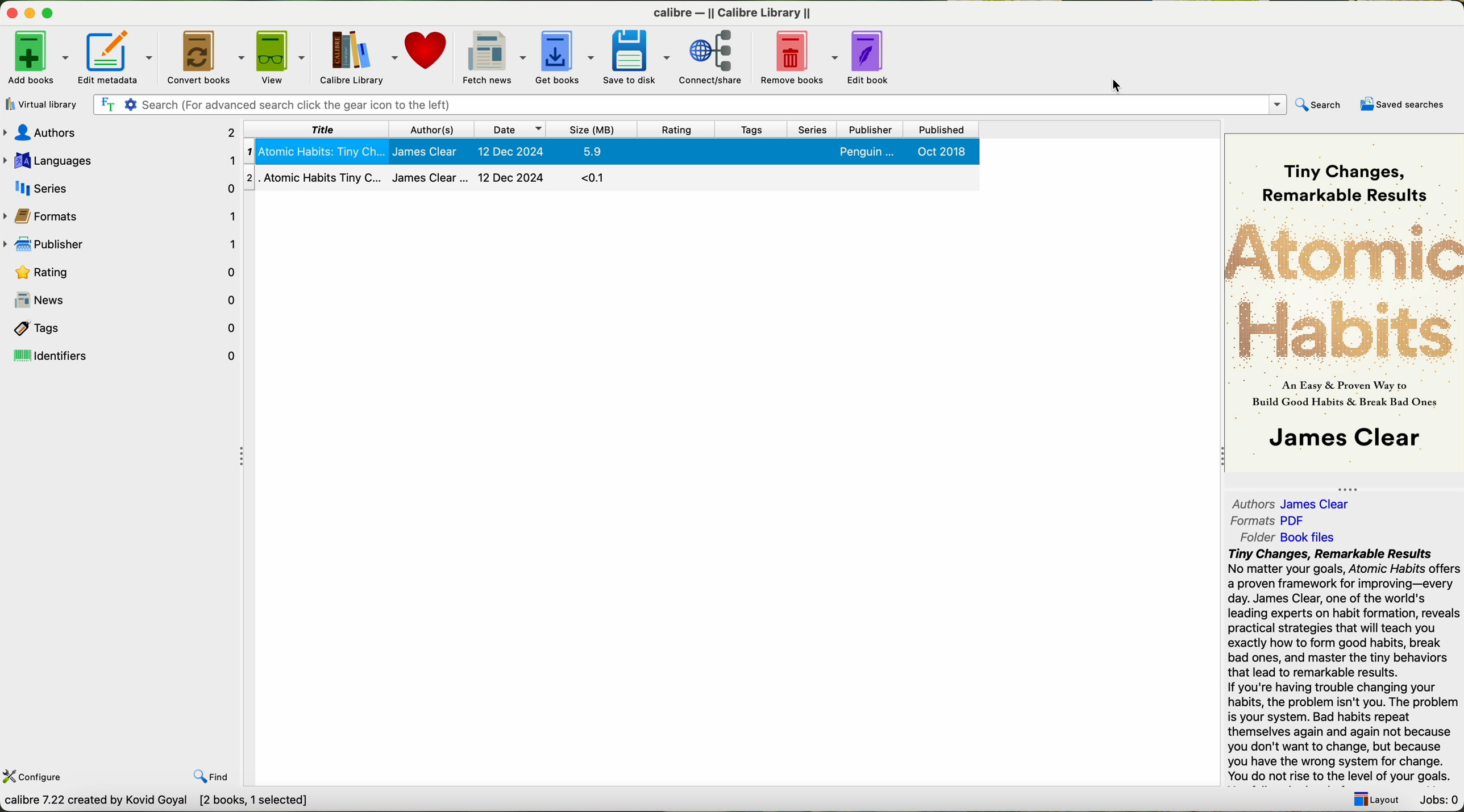 The image size is (1464, 812). I want to click on remove books, so click(800, 58).